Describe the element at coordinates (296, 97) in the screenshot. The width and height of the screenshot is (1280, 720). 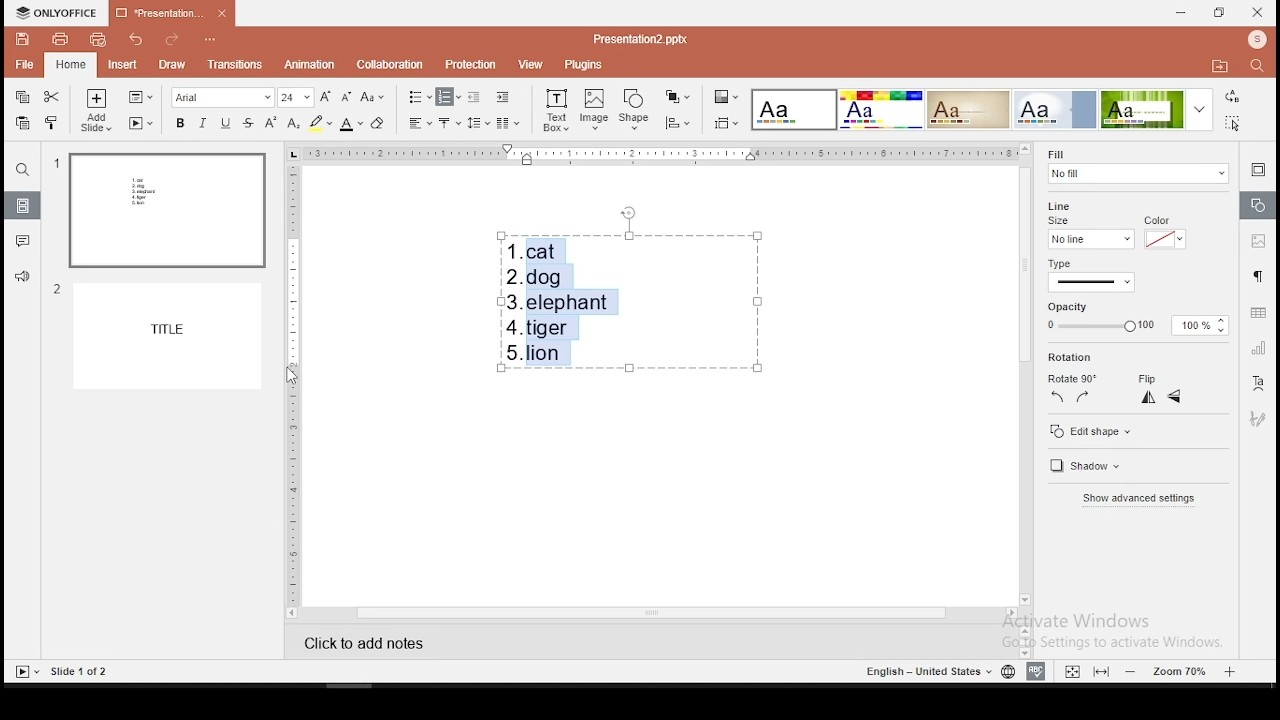
I see `font size` at that location.